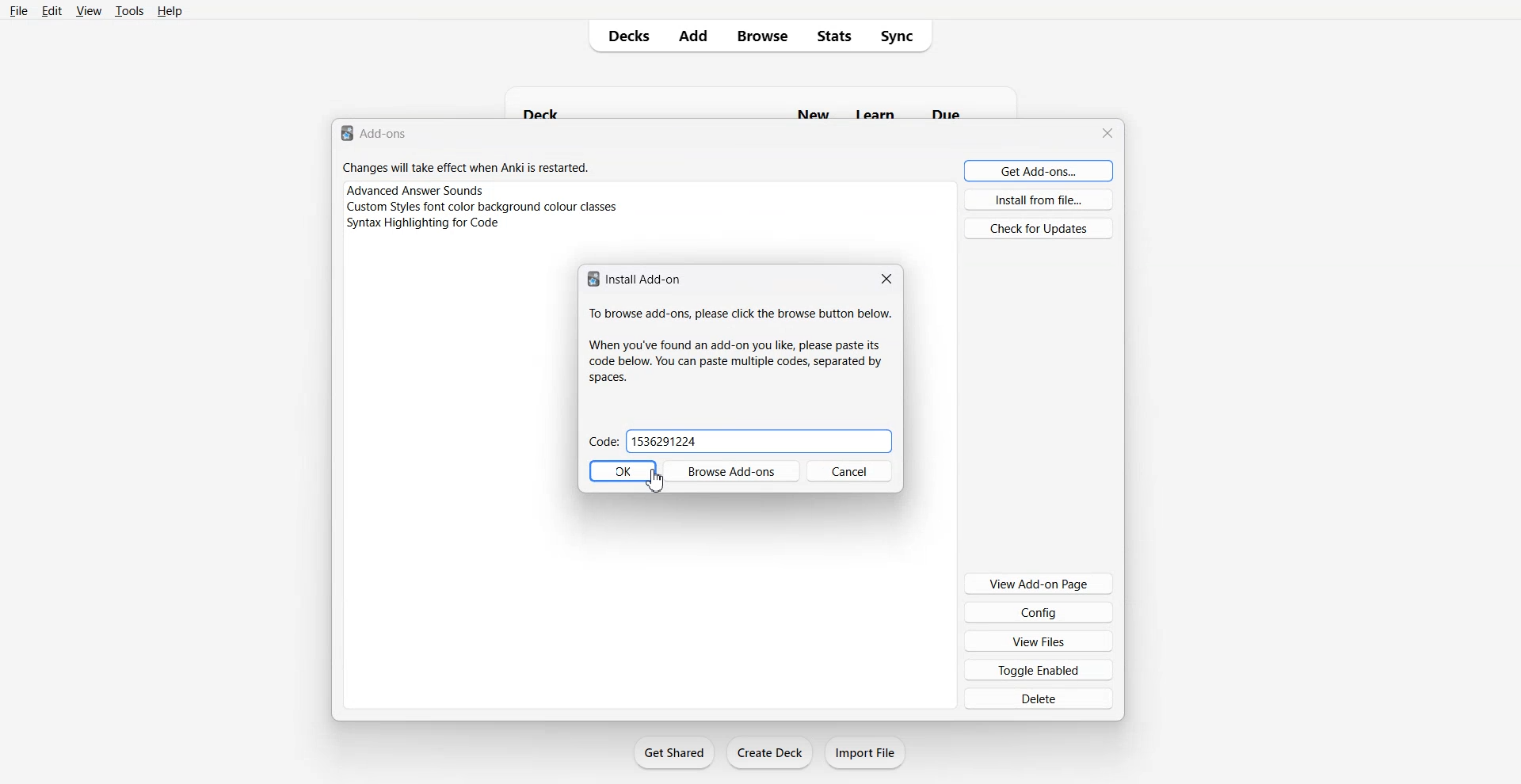 This screenshot has width=1521, height=784. Describe the element at coordinates (1039, 669) in the screenshot. I see `Toggle Enabled` at that location.